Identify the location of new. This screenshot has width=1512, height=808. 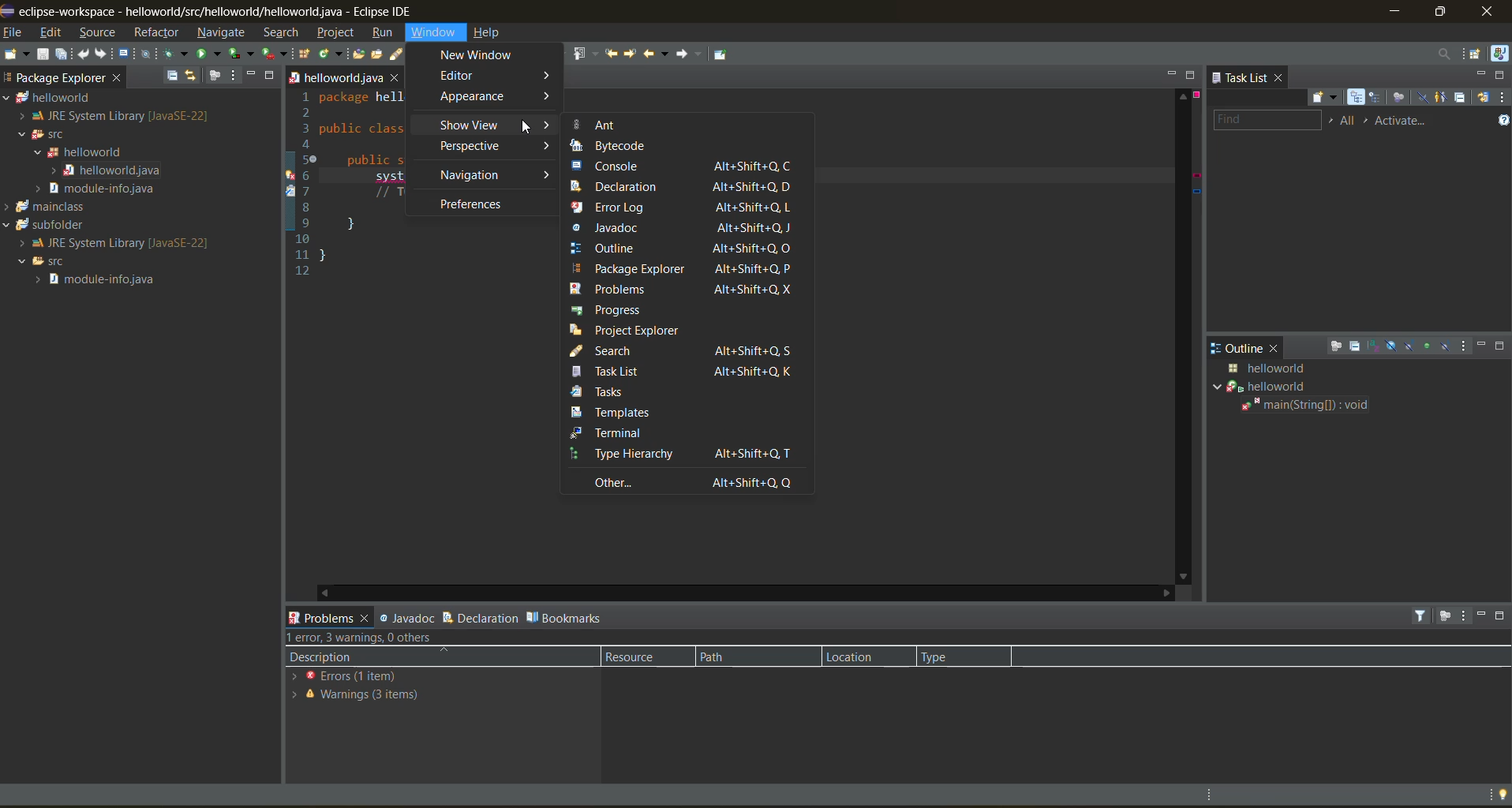
(21, 55).